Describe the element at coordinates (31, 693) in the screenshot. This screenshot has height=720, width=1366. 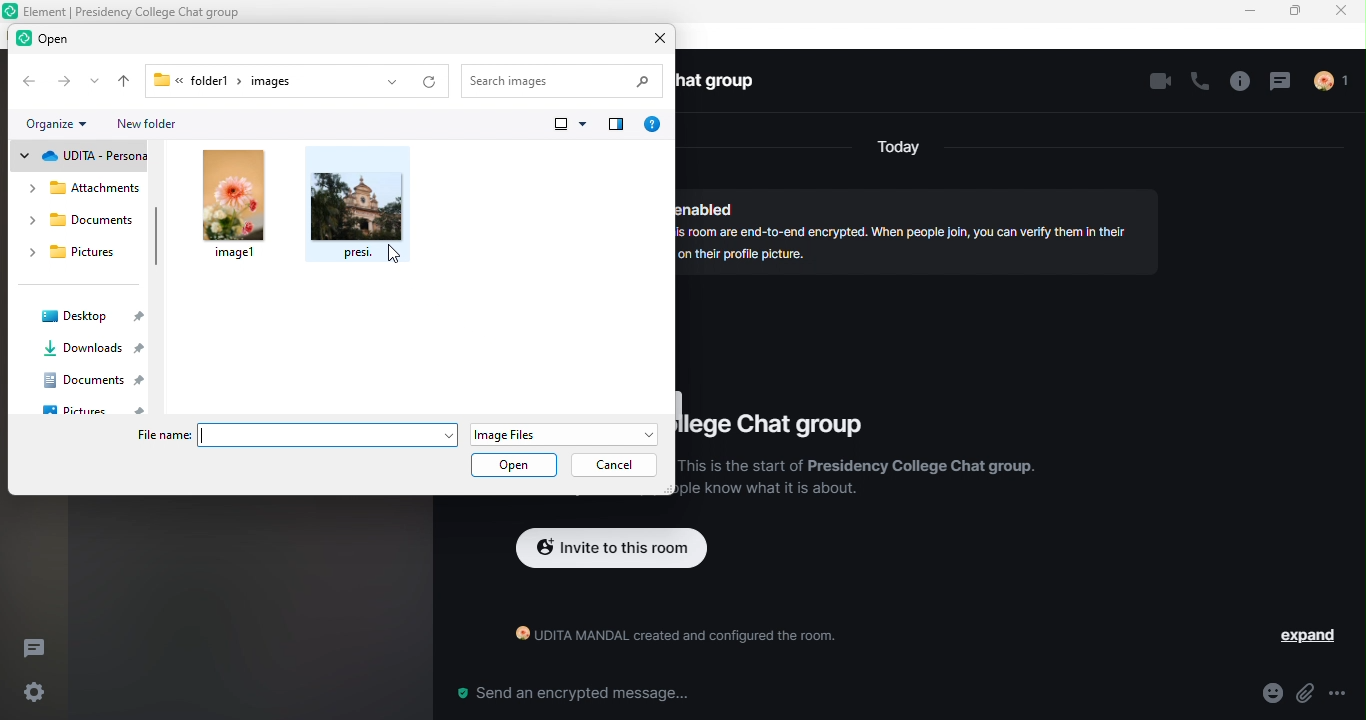
I see `settings` at that location.